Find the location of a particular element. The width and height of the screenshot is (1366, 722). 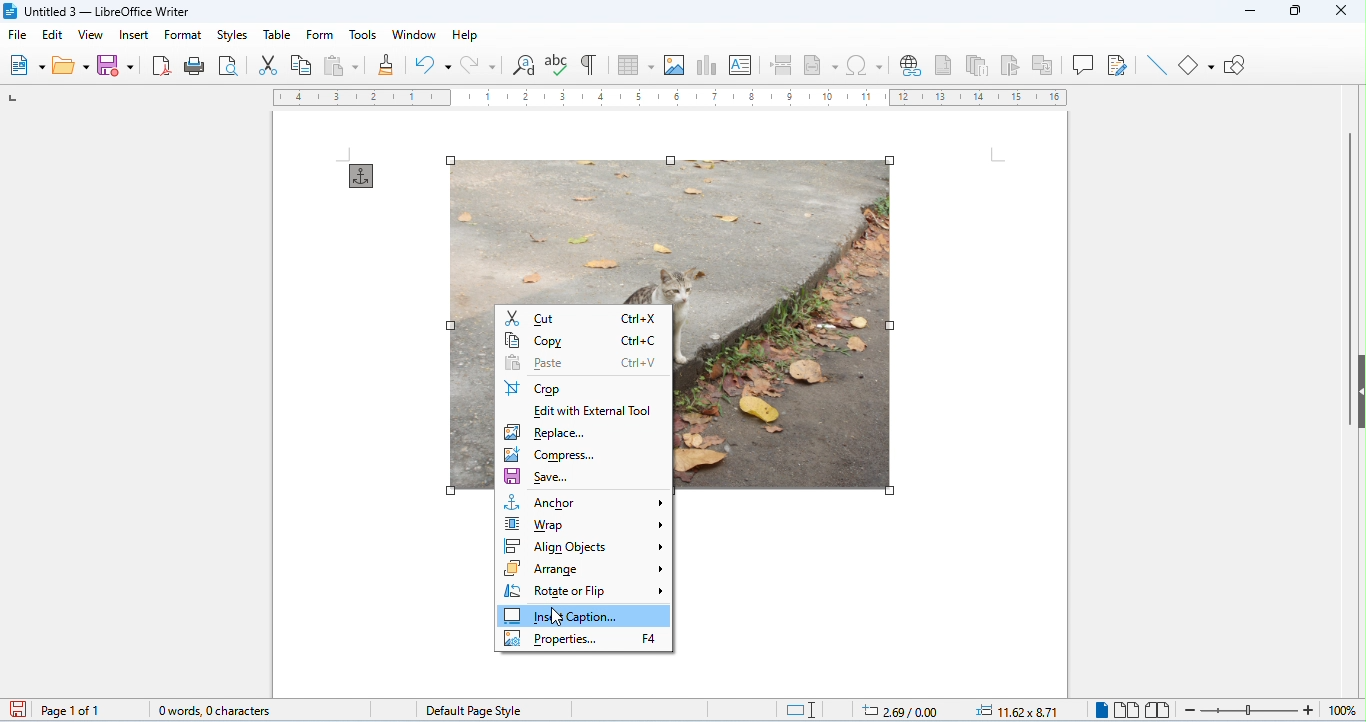

maximize is located at coordinates (1293, 12).